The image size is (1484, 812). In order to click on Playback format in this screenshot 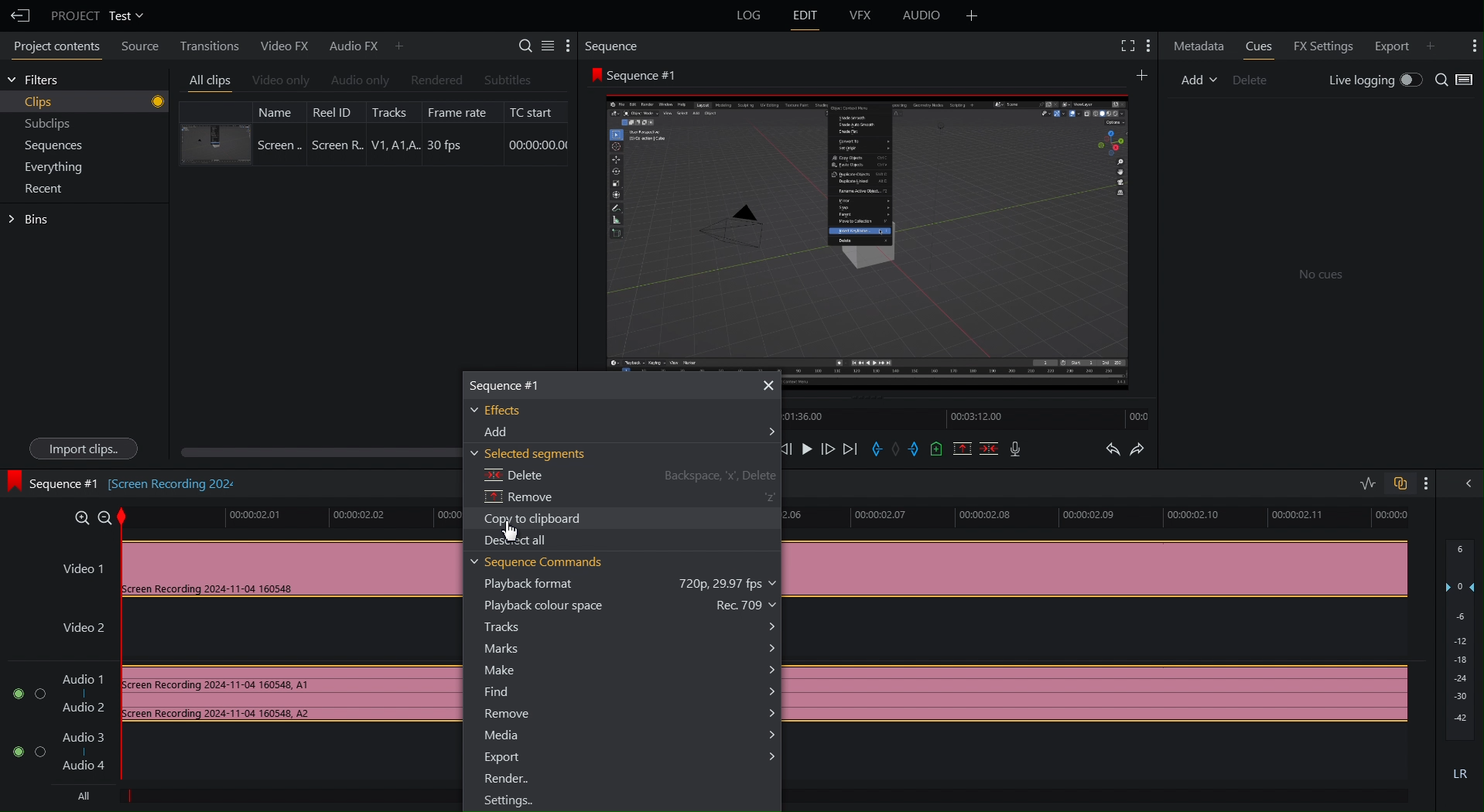, I will do `click(631, 585)`.